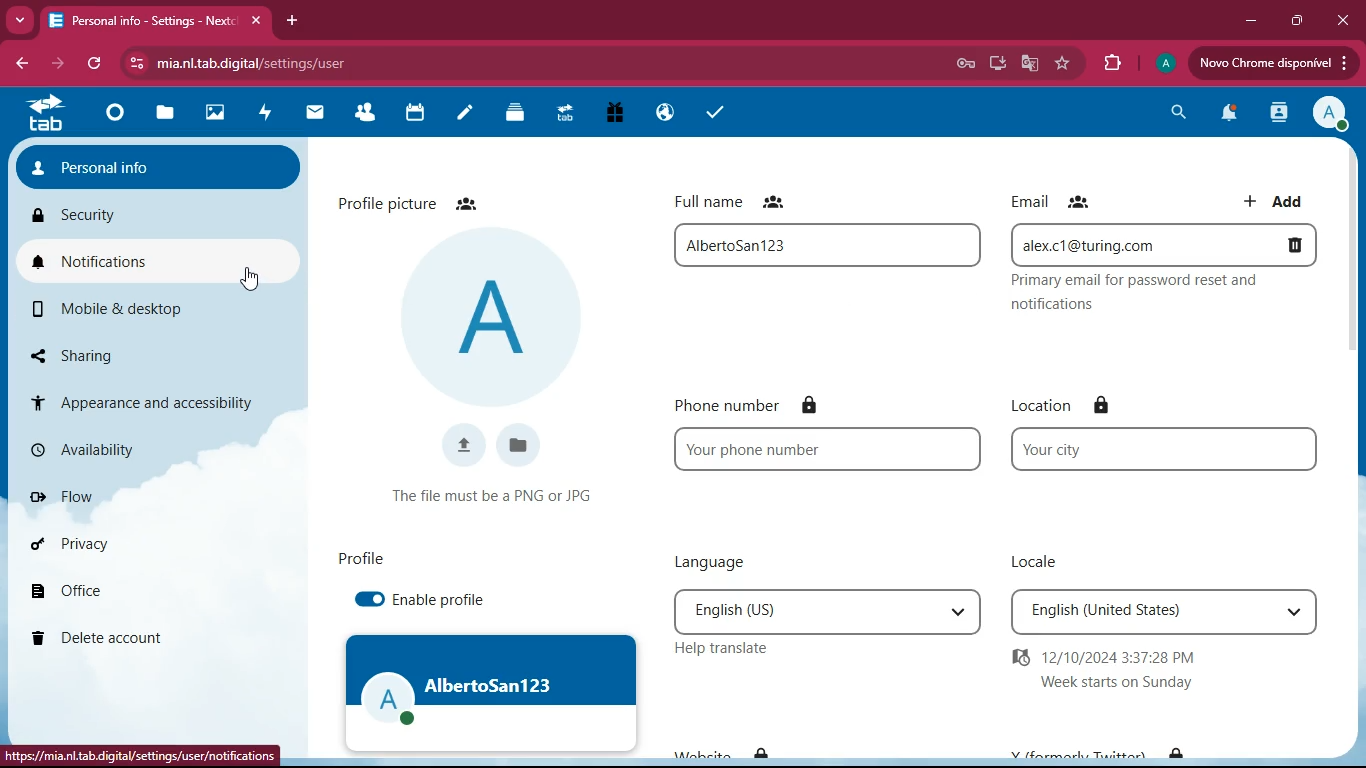 The height and width of the screenshot is (768, 1366). Describe the element at coordinates (55, 65) in the screenshot. I see `forward` at that location.